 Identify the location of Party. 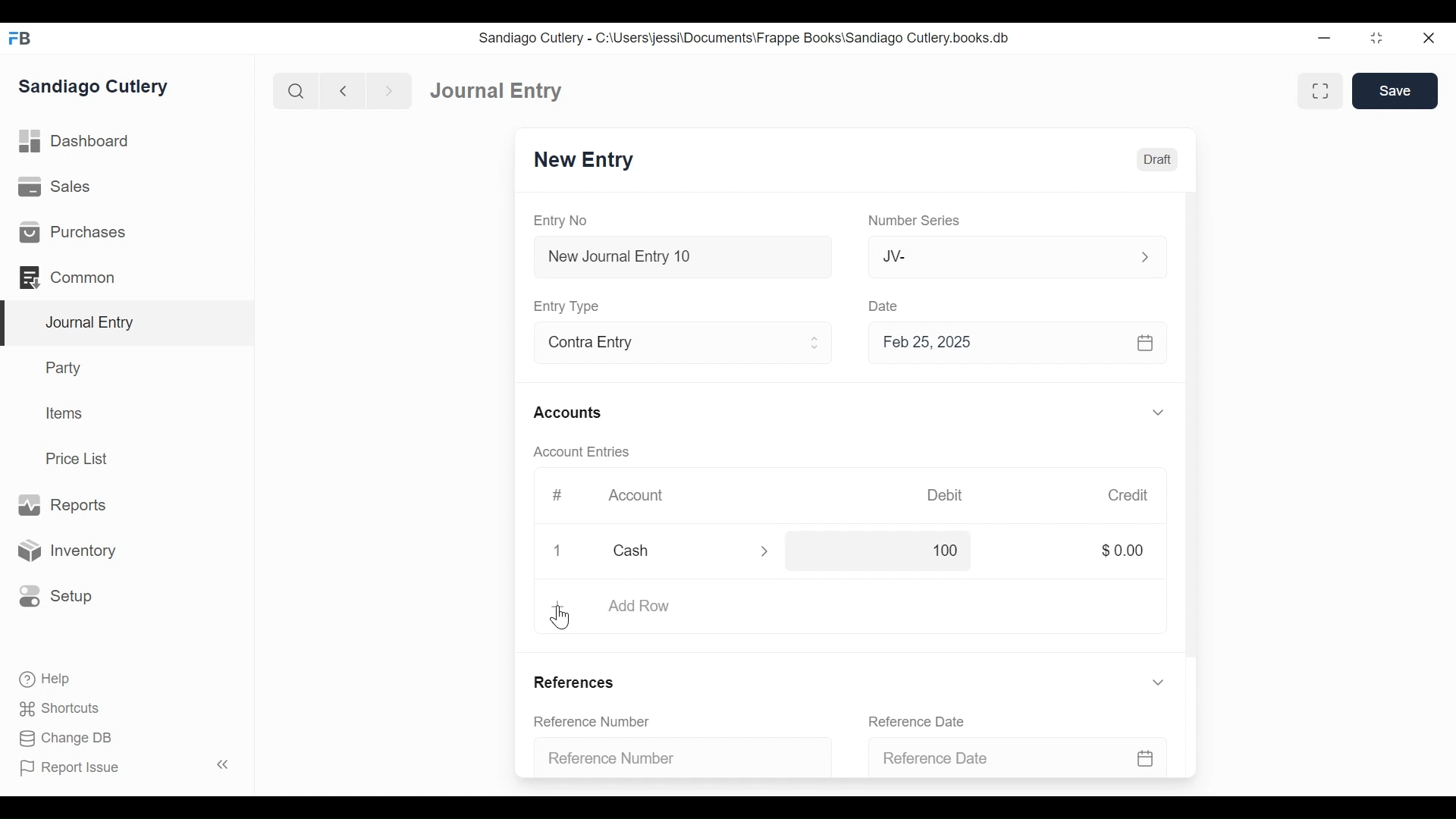
(61, 368).